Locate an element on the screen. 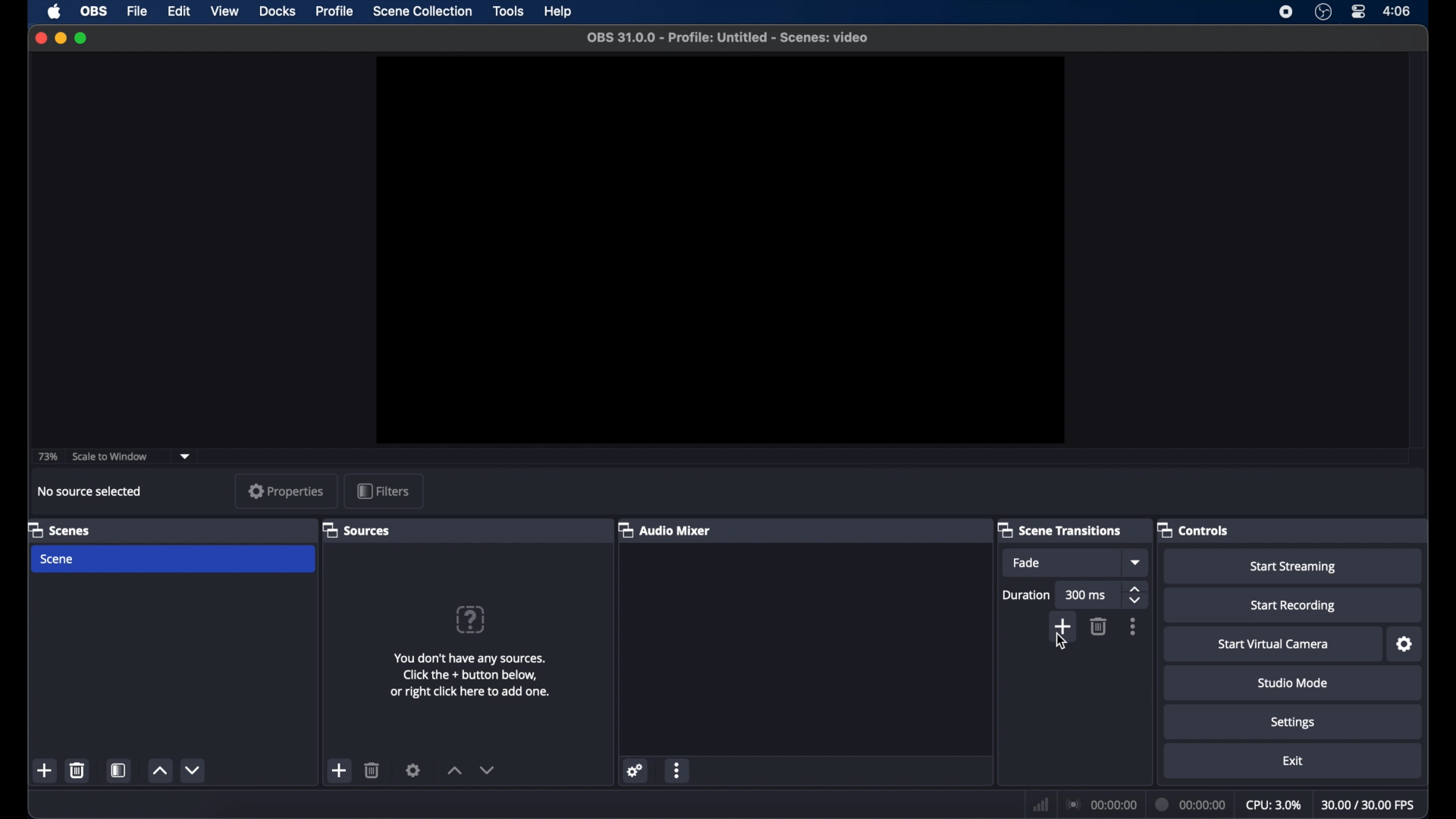 The width and height of the screenshot is (1456, 819). view is located at coordinates (224, 12).